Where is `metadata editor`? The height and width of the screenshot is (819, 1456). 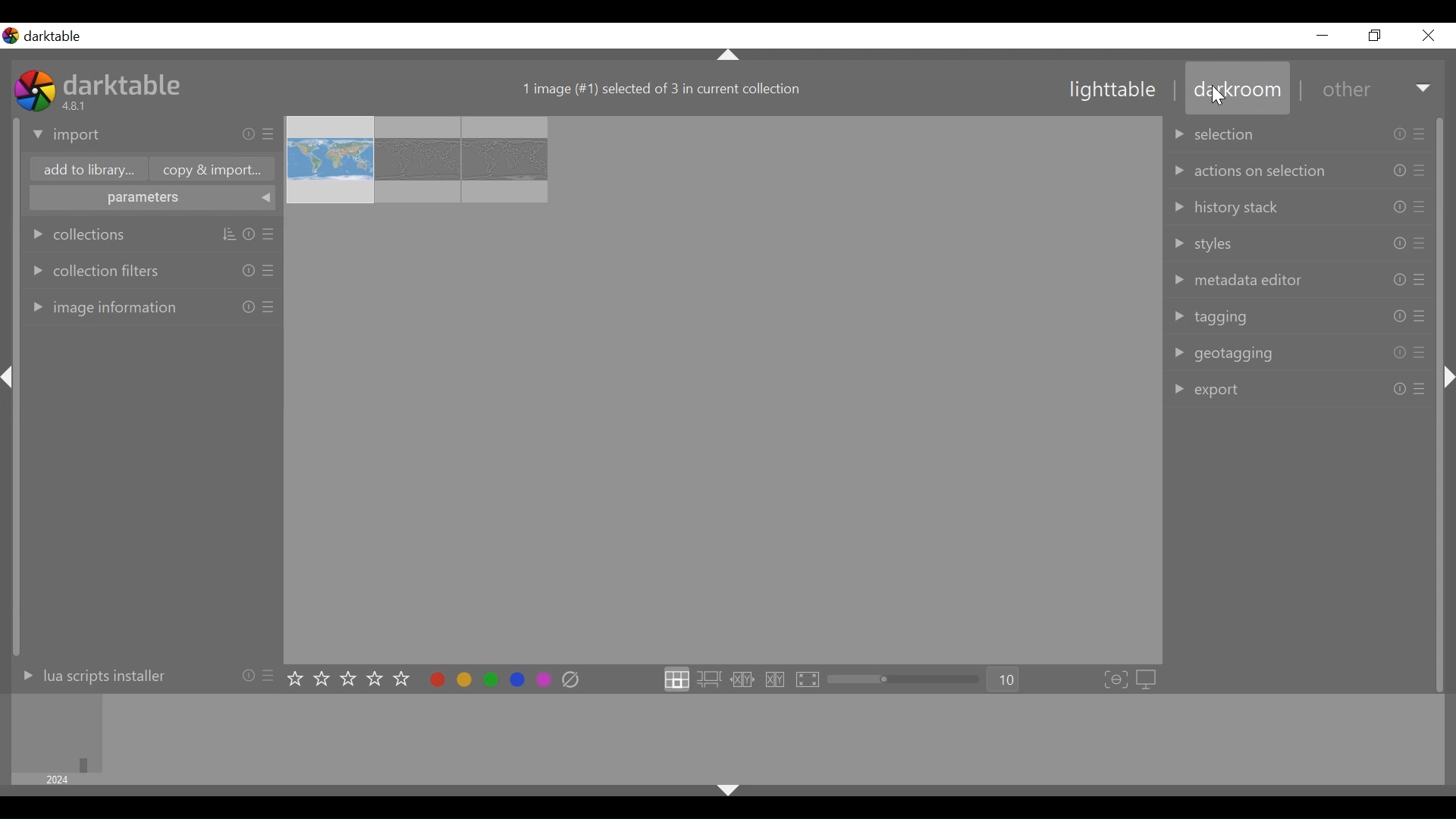 metadata editor is located at coordinates (1301, 281).